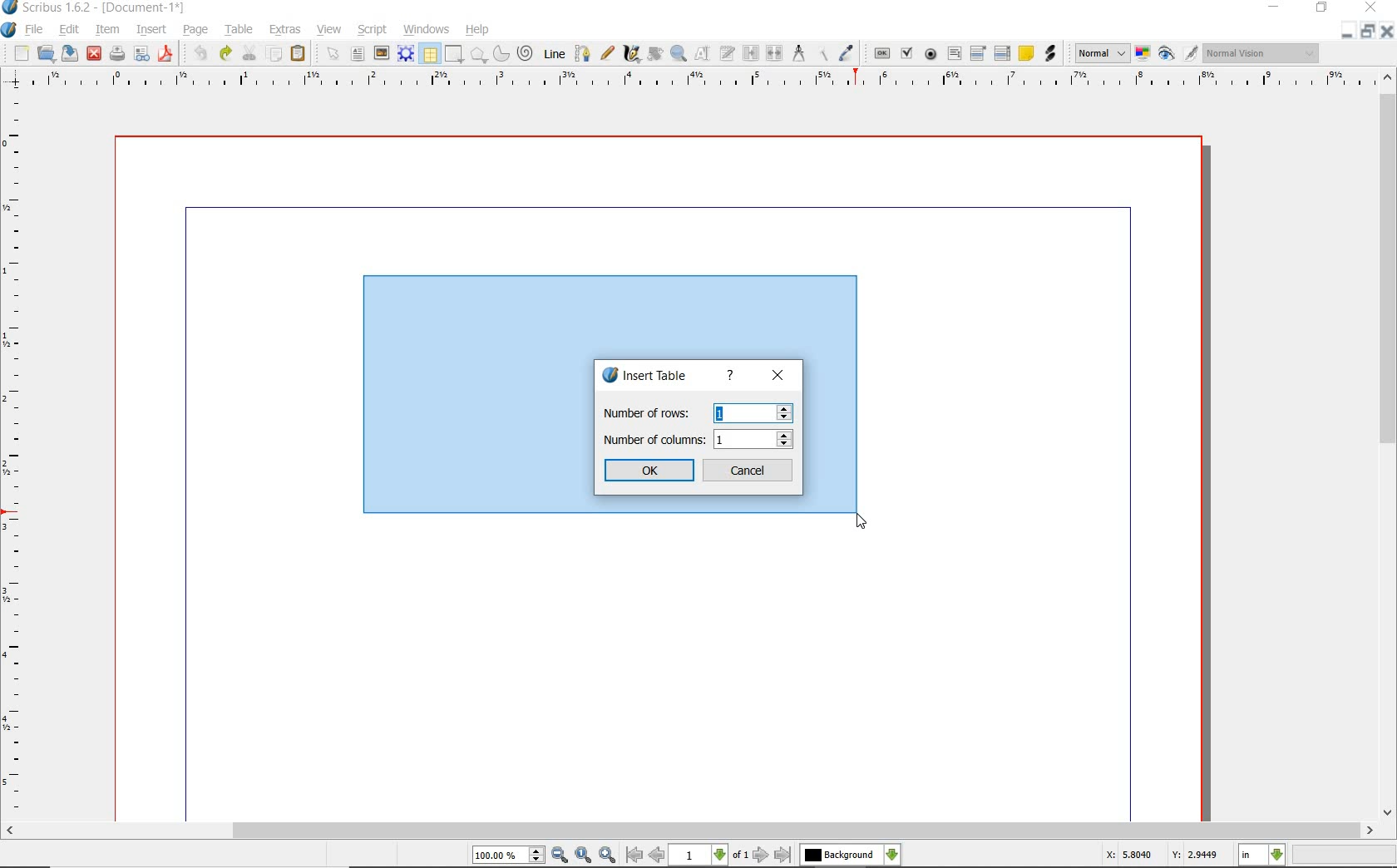  What do you see at coordinates (452, 55) in the screenshot?
I see `shape` at bounding box center [452, 55].